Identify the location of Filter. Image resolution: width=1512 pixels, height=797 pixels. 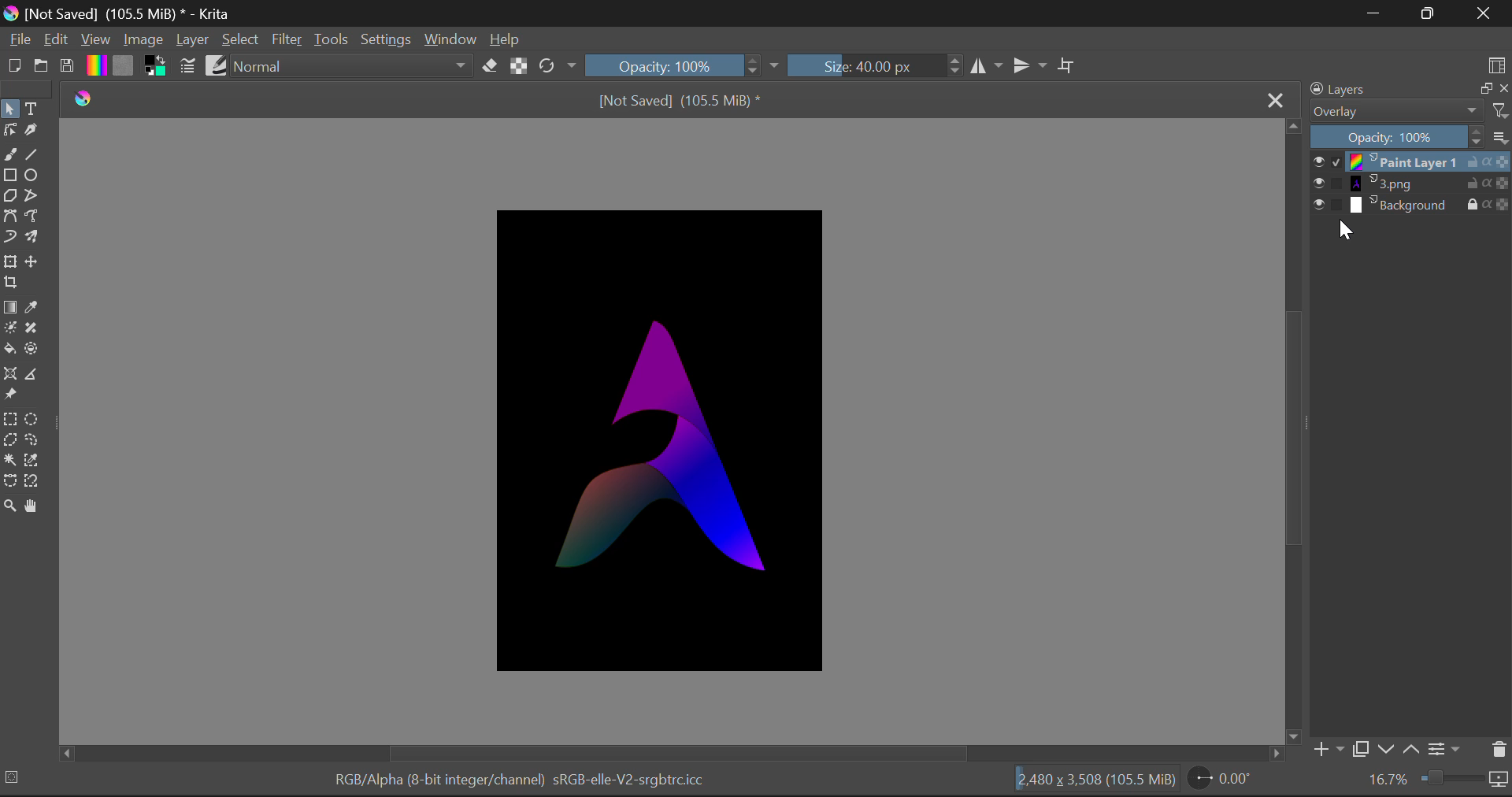
(290, 39).